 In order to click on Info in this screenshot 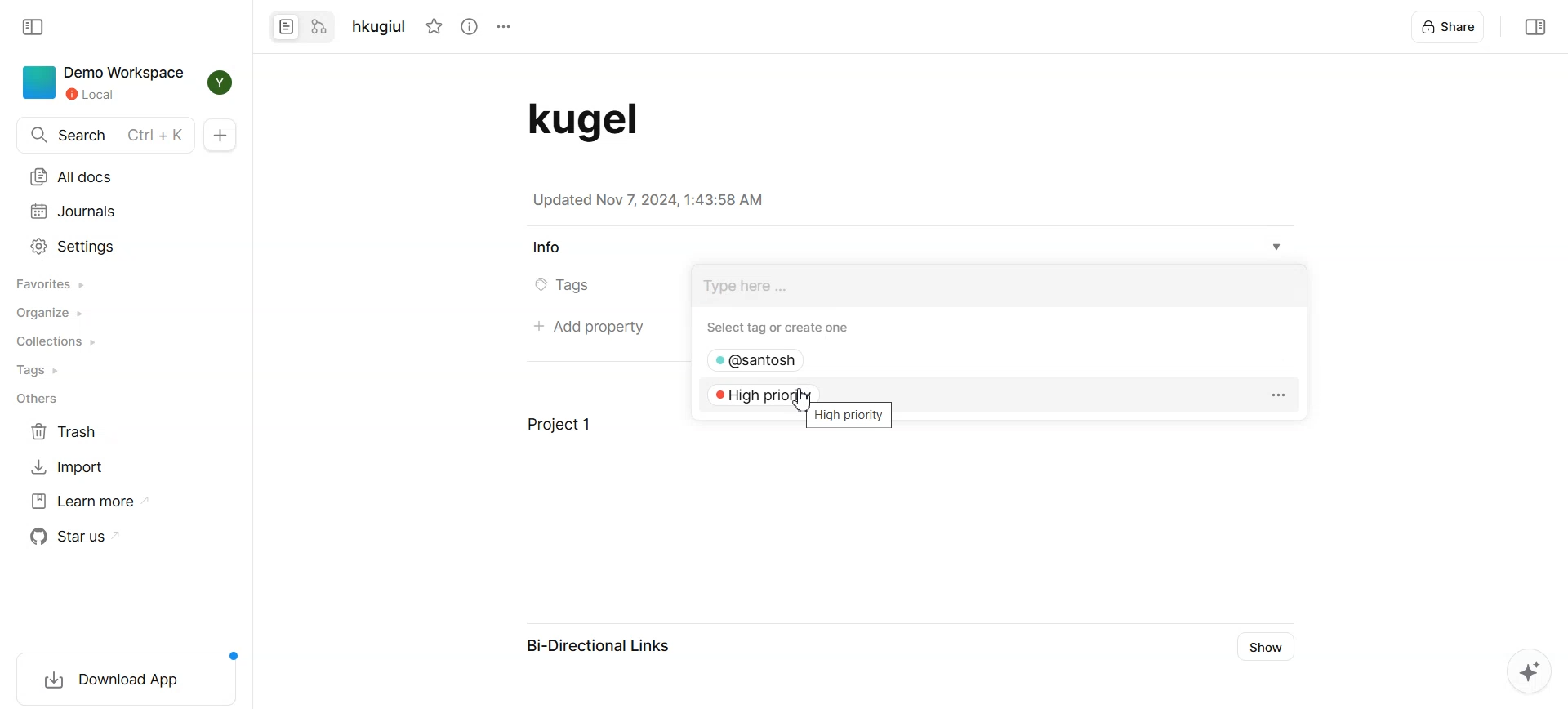, I will do `click(543, 247)`.